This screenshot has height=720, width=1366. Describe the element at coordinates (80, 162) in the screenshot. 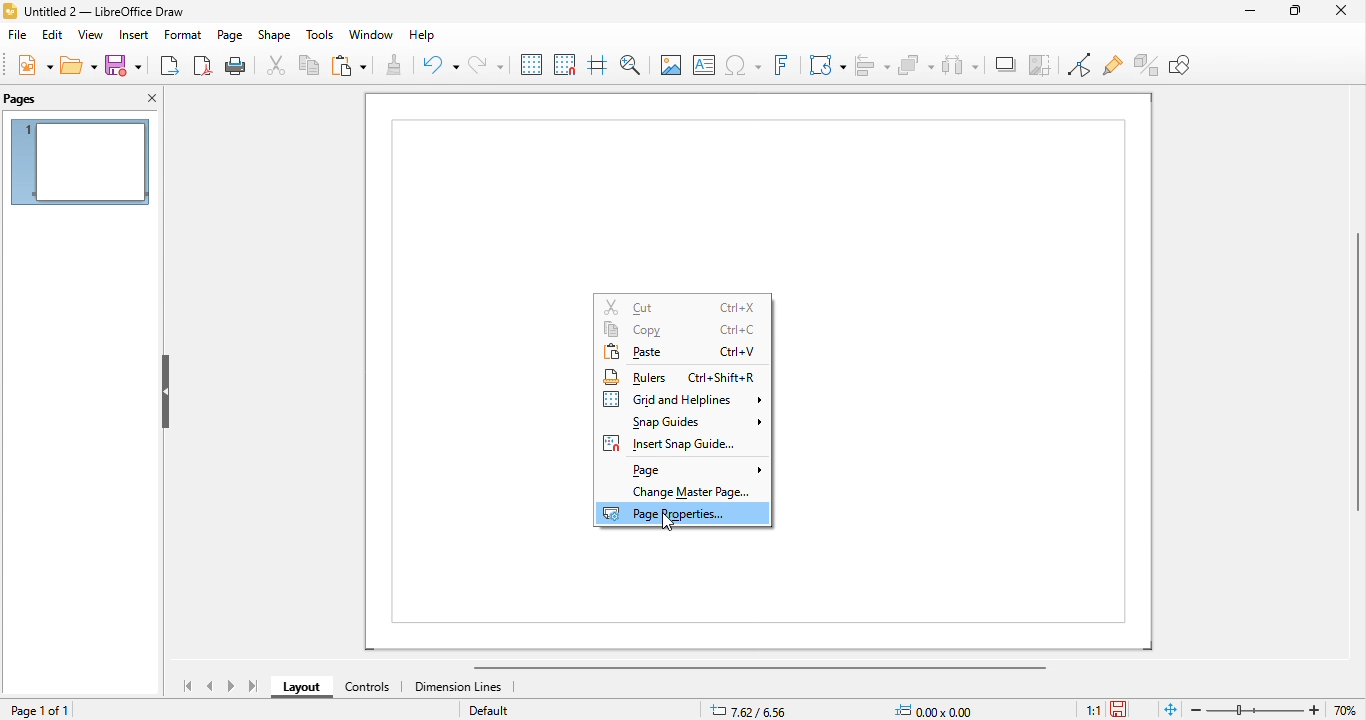

I see `page preview` at that location.